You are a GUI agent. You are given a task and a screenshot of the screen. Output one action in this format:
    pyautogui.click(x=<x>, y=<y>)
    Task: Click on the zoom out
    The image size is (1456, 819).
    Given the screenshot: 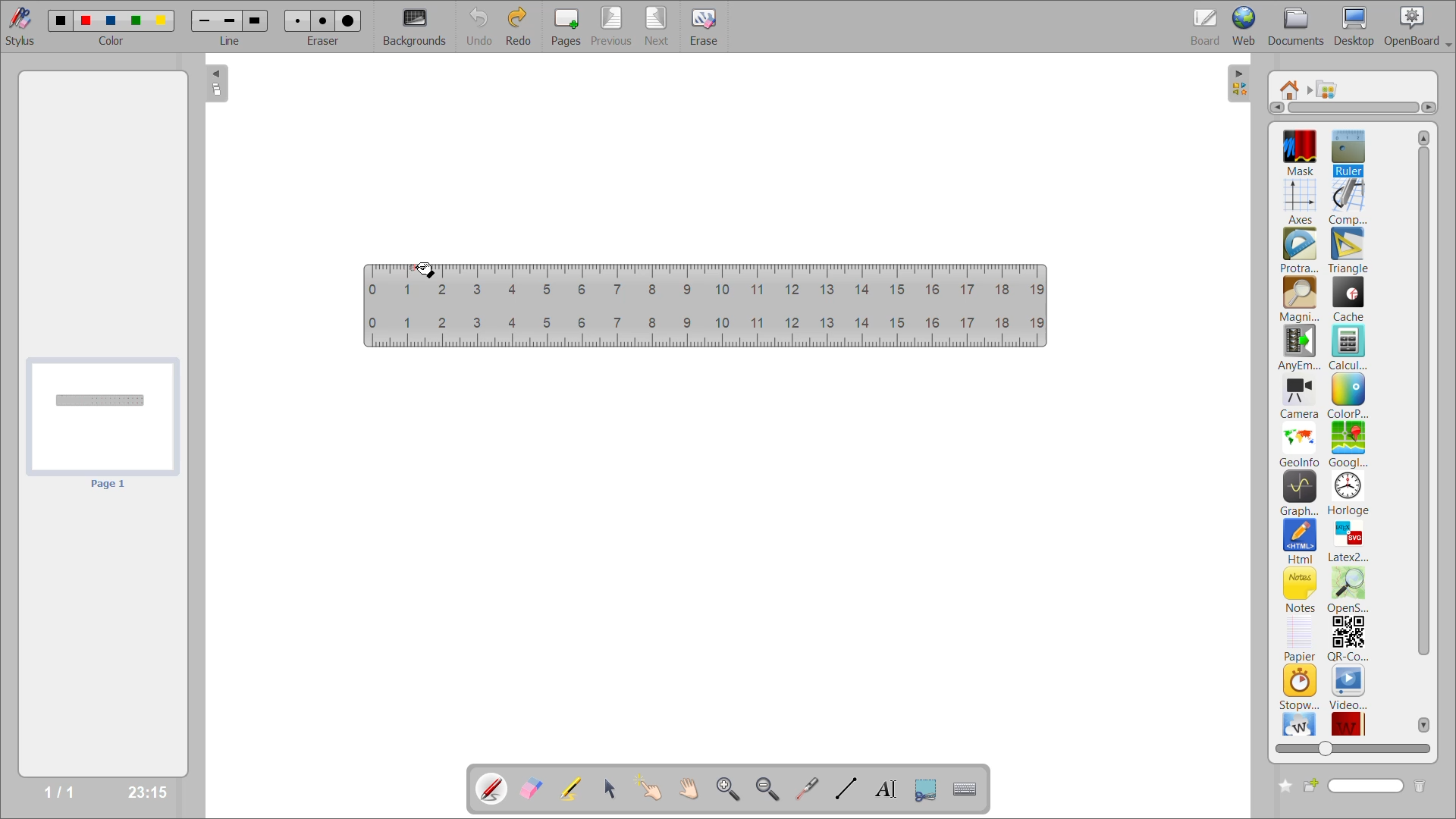 What is the action you would take?
    pyautogui.click(x=770, y=788)
    